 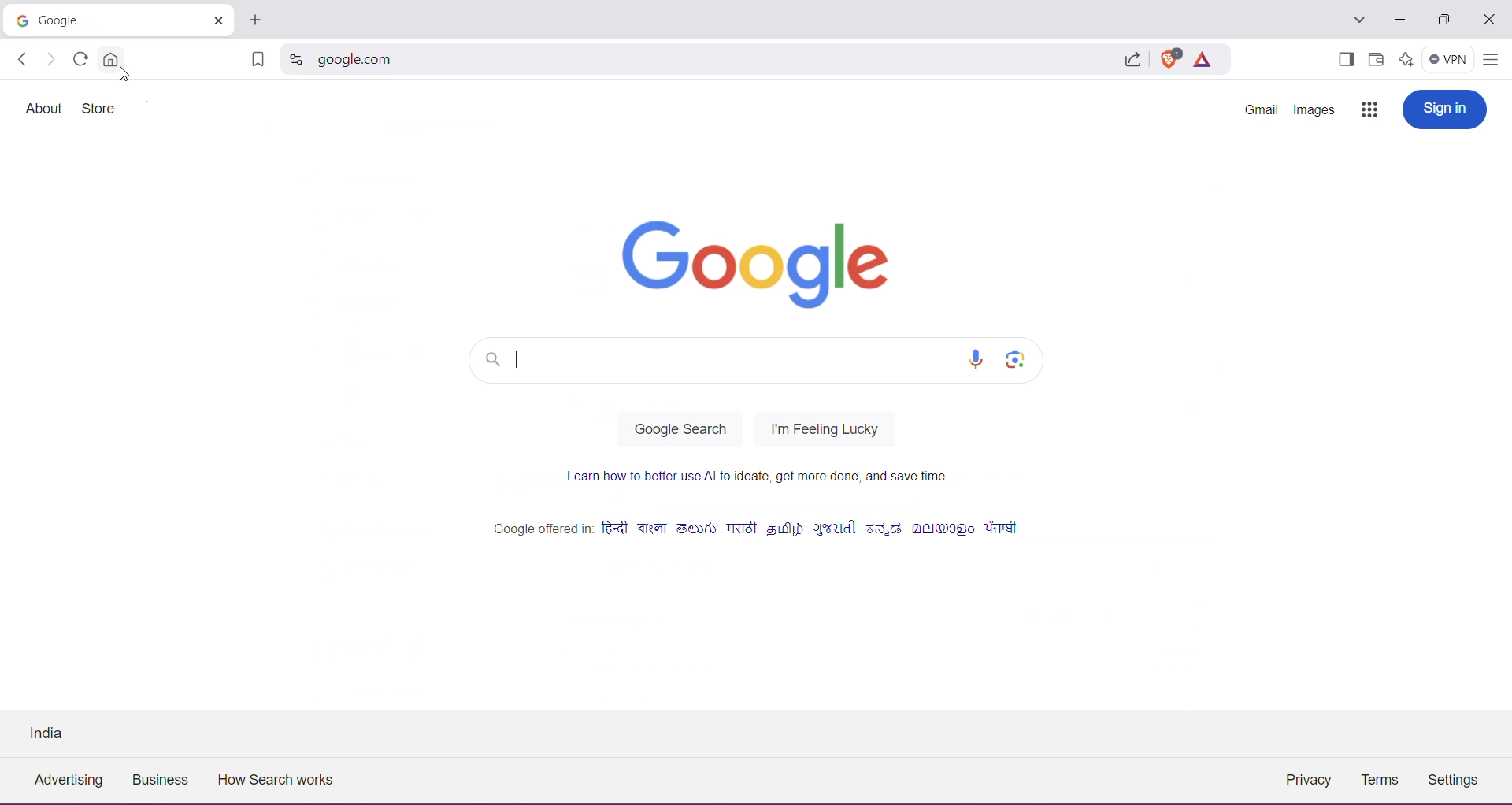 I want to click on Store, so click(x=102, y=109).